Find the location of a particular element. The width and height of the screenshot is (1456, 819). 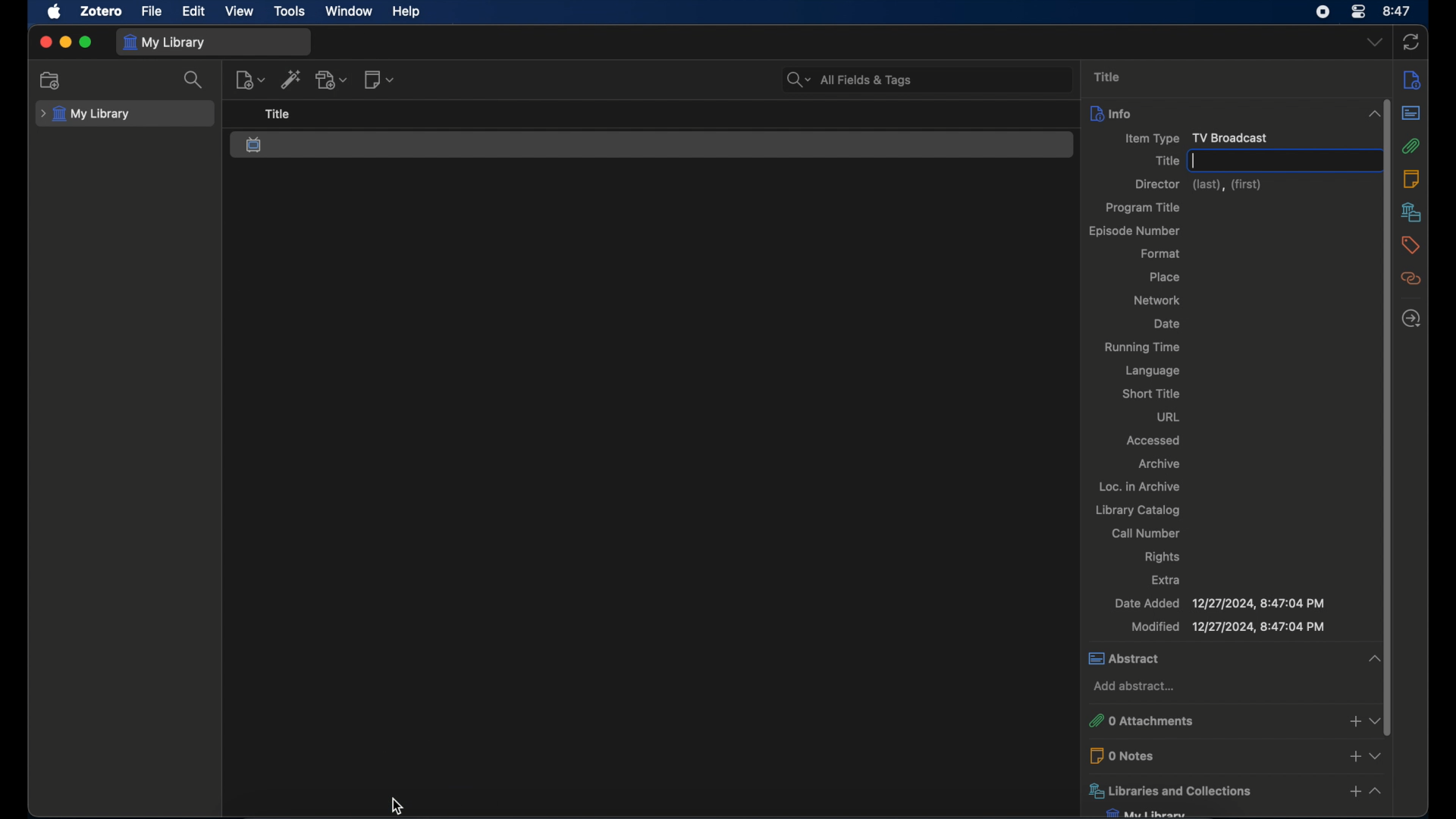

loc. in archive is located at coordinates (1139, 486).